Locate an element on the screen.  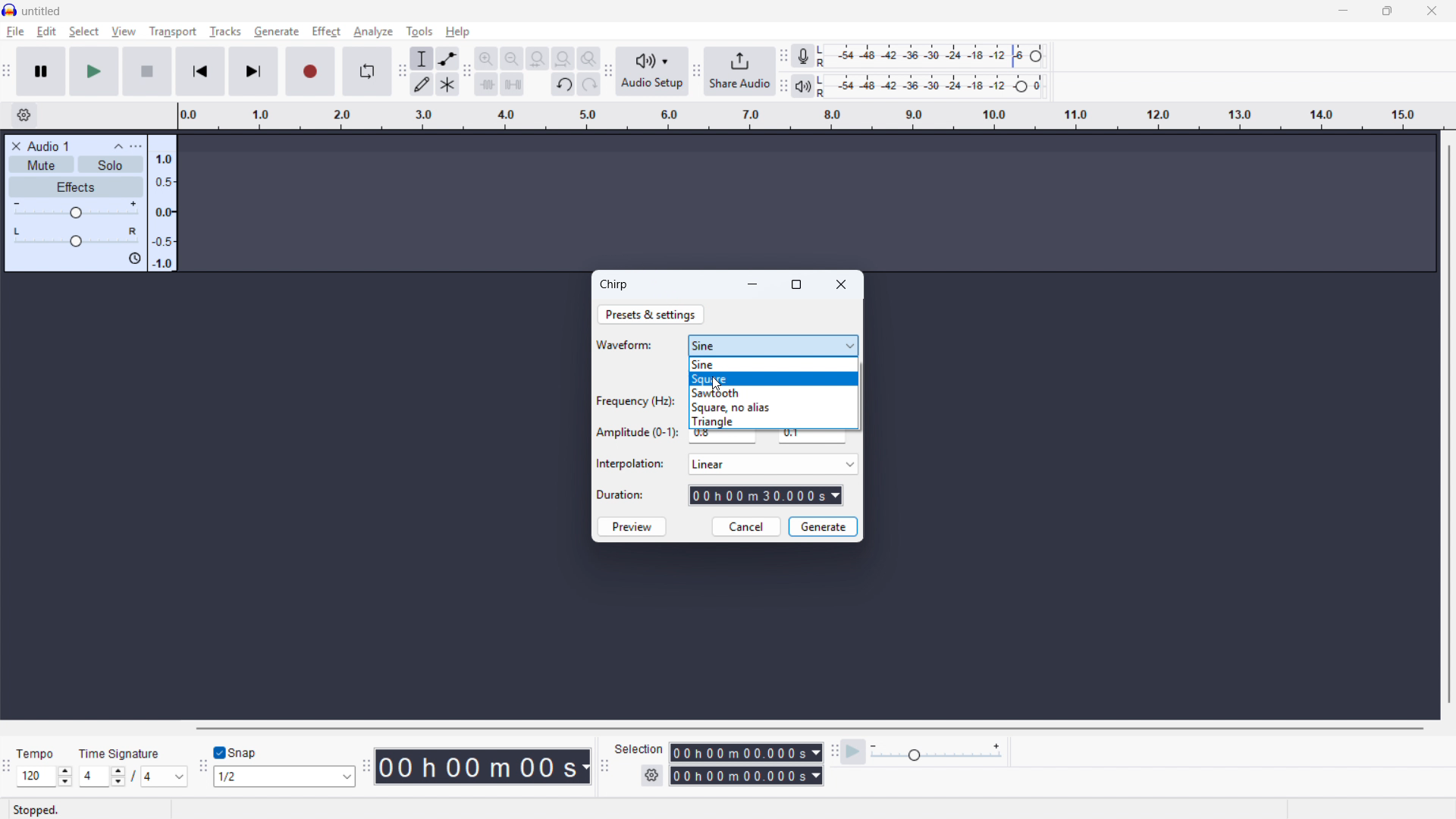
Toggle zoom  is located at coordinates (588, 58).